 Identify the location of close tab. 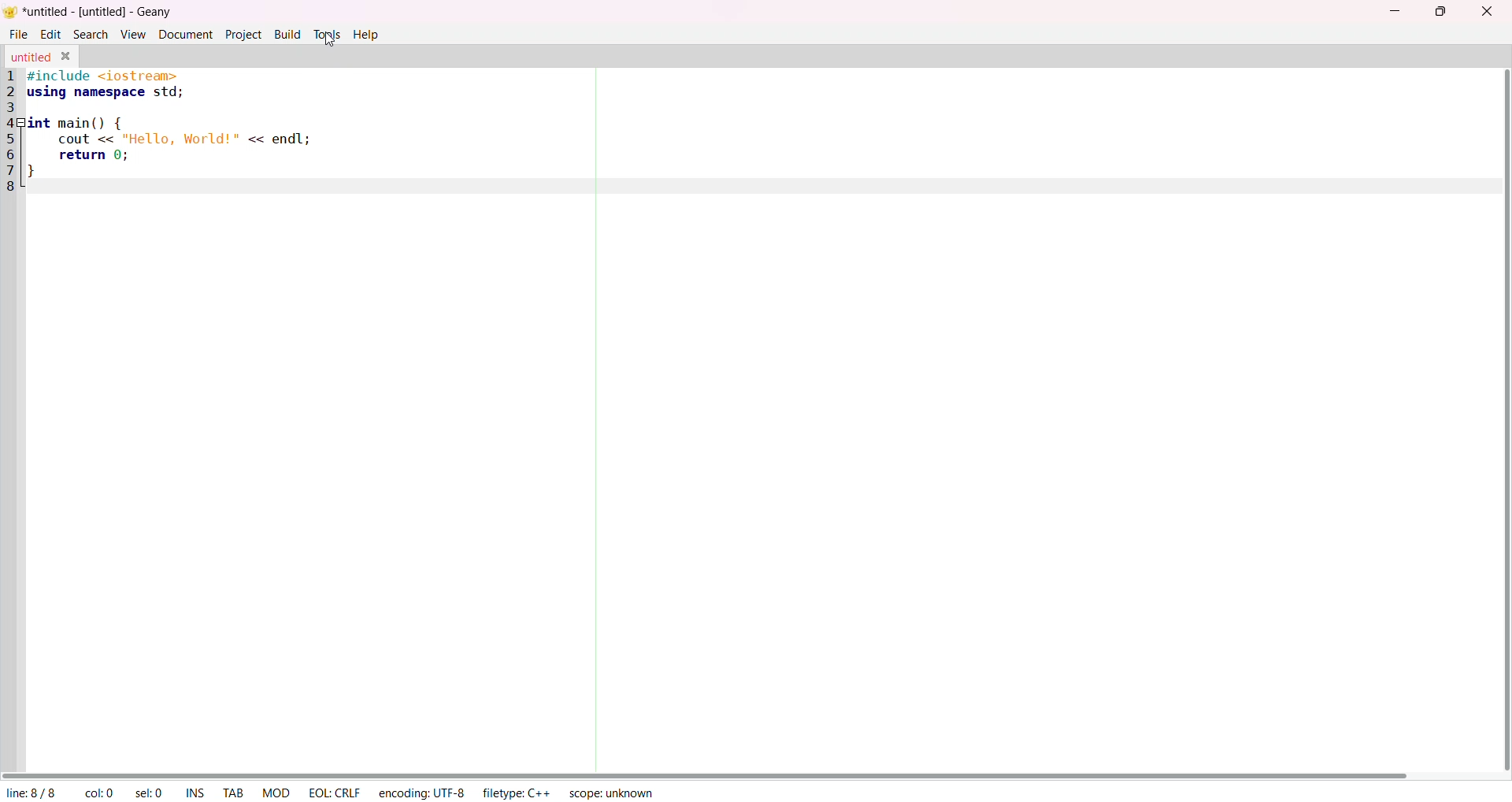
(67, 57).